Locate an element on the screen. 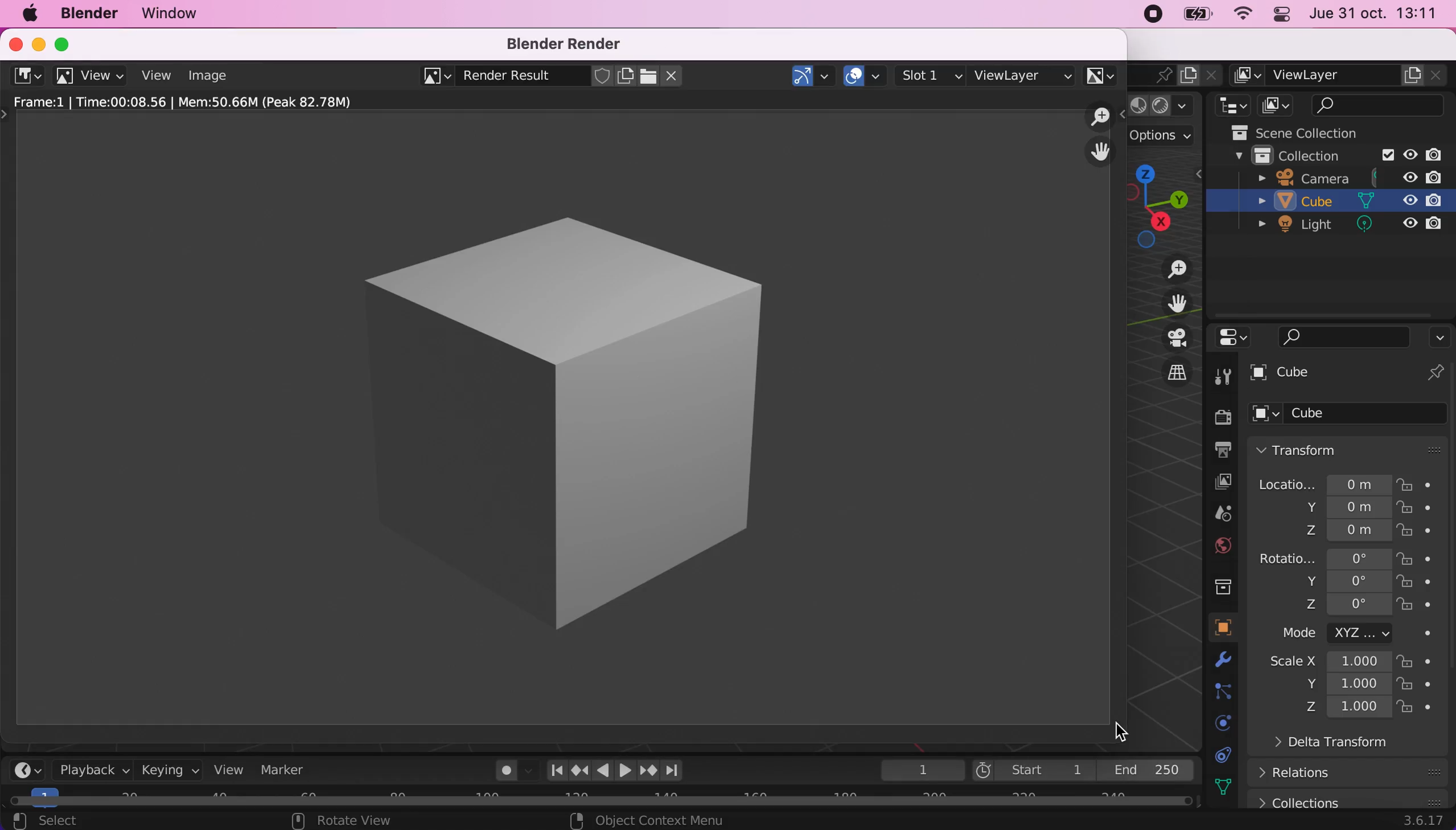 The height and width of the screenshot is (830, 1456). minimize is located at coordinates (35, 43).